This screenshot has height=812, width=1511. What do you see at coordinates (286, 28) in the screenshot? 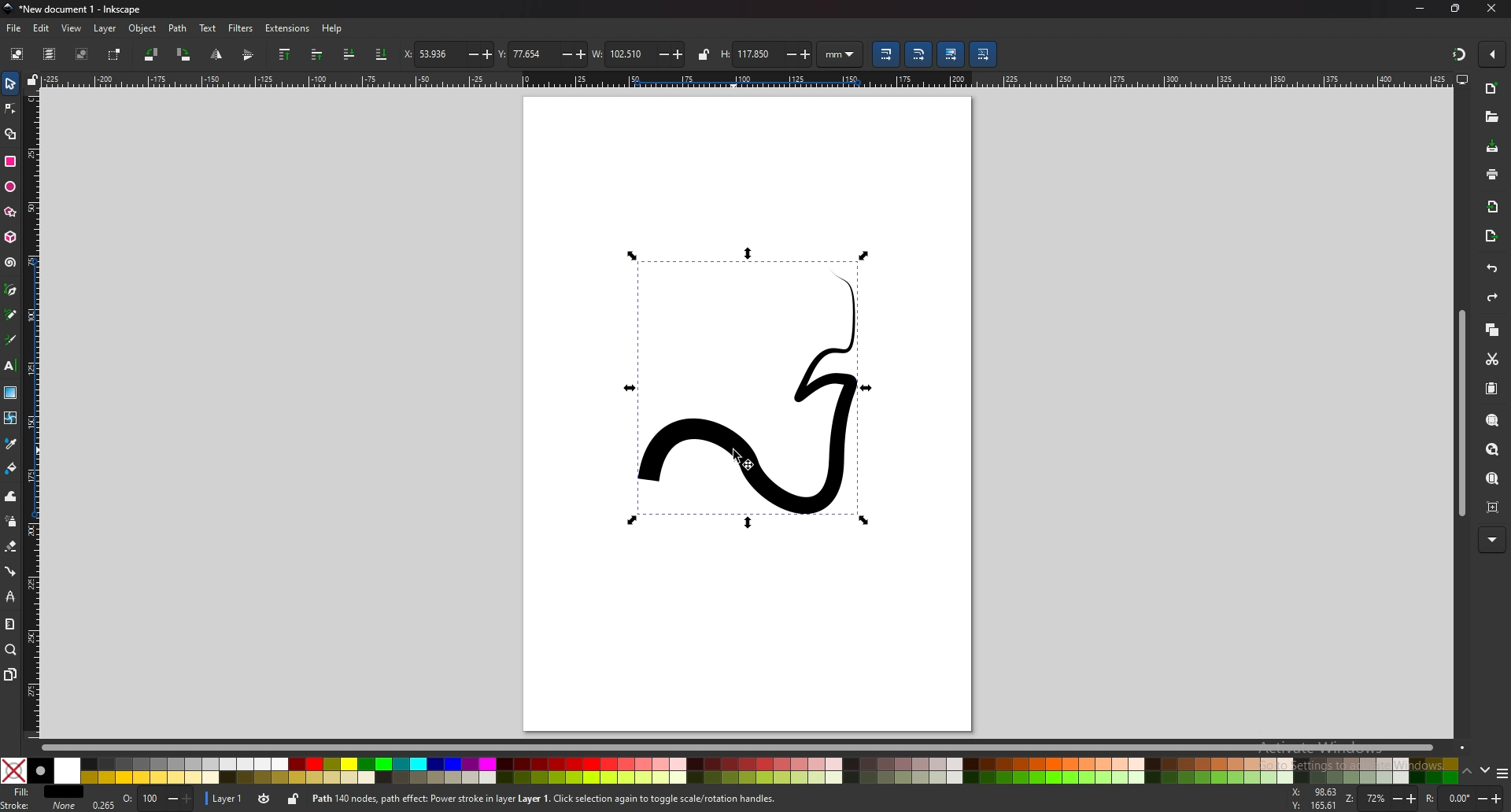
I see `extensions` at bounding box center [286, 28].